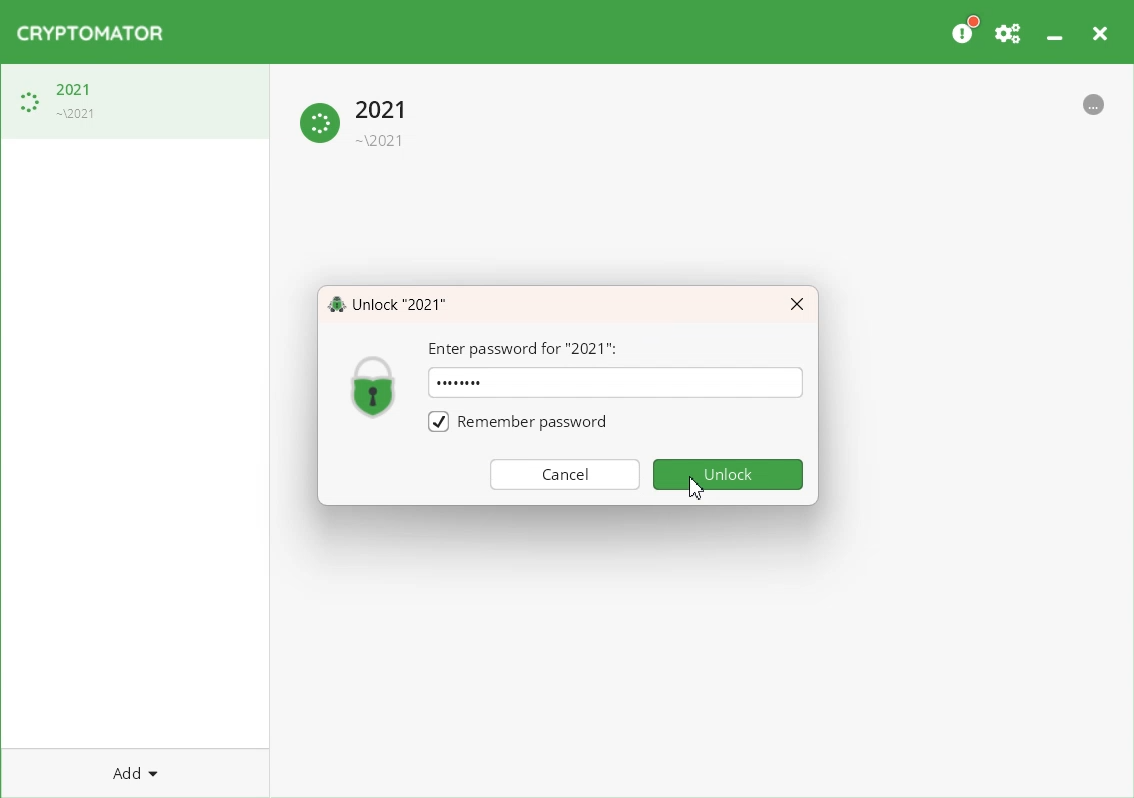  I want to click on Loading Vault, so click(135, 101).